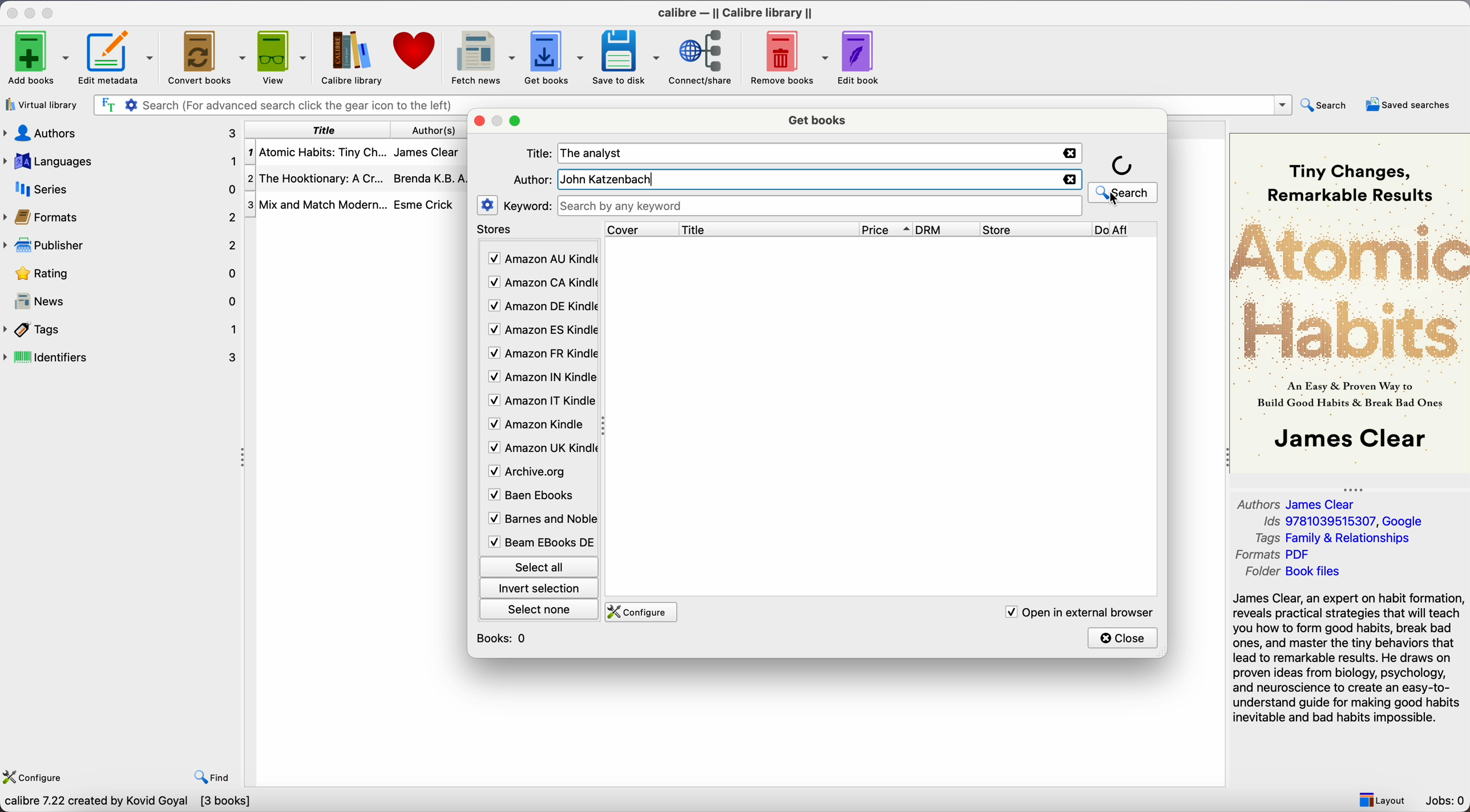 This screenshot has height=812, width=1470. Describe the element at coordinates (11, 12) in the screenshot. I see `close app` at that location.